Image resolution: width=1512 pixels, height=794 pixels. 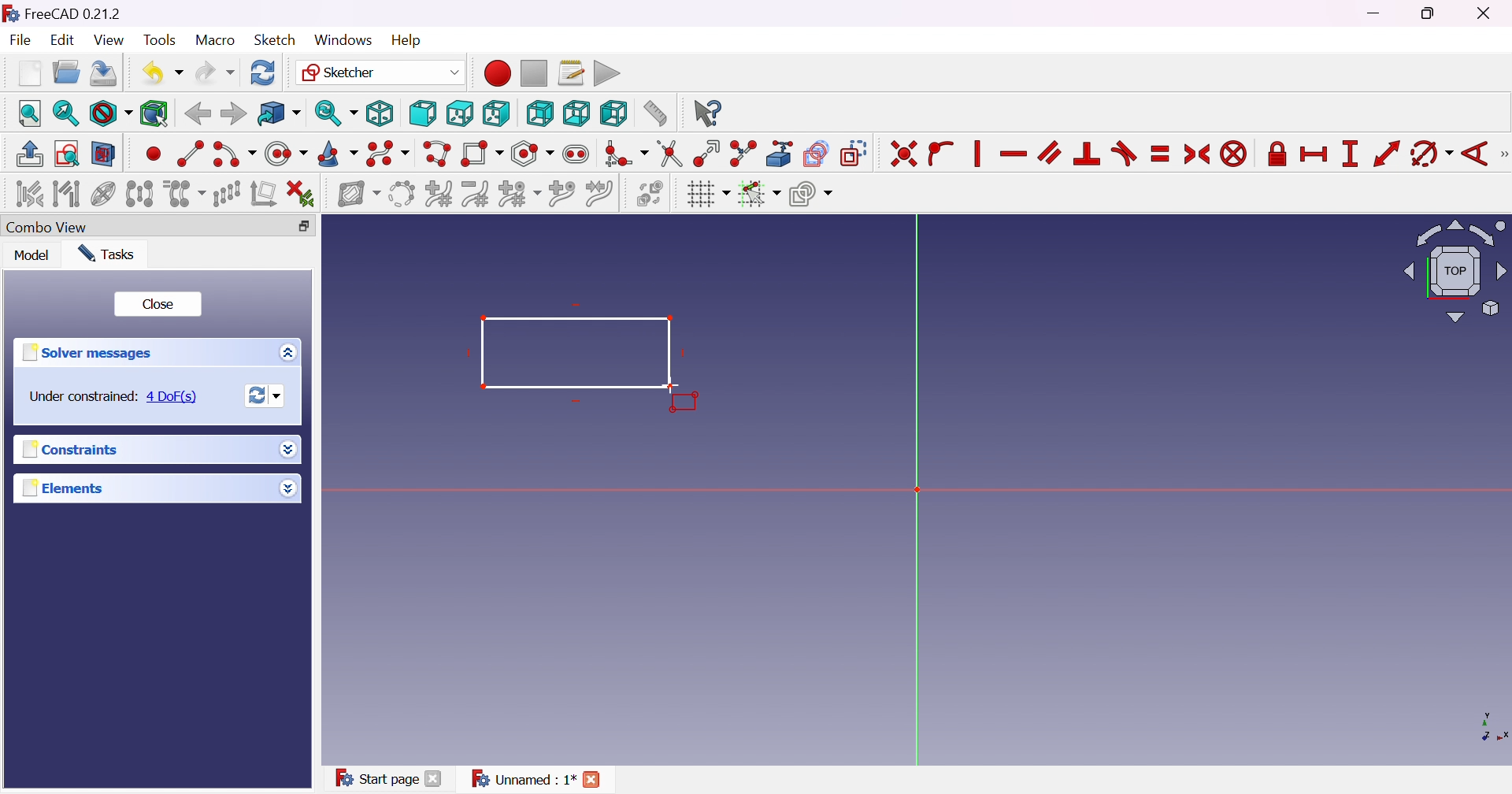 I want to click on Forces recomputation of active document, so click(x=269, y=395).